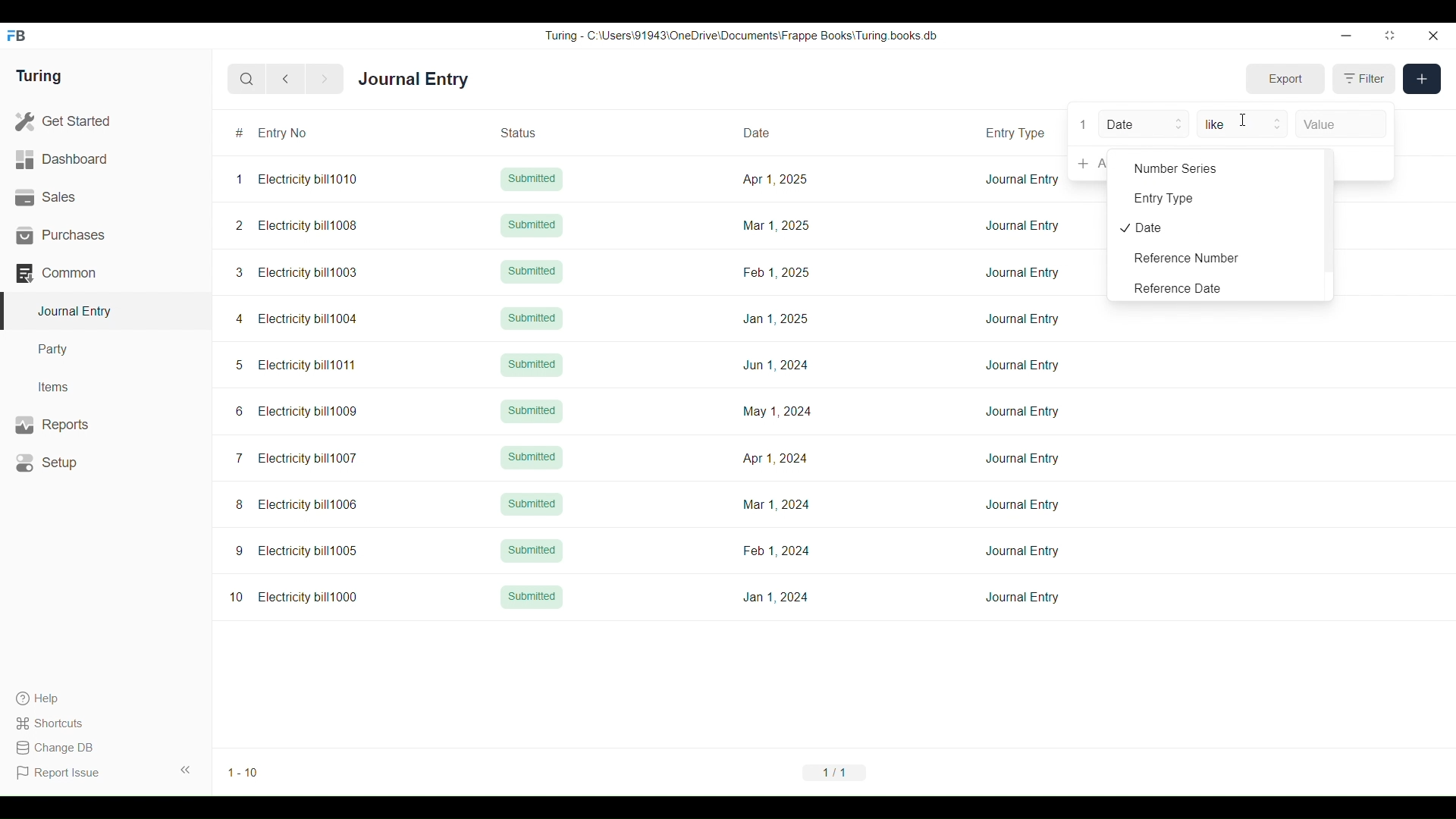  What do you see at coordinates (776, 551) in the screenshot?
I see `Feb 1,2024` at bounding box center [776, 551].